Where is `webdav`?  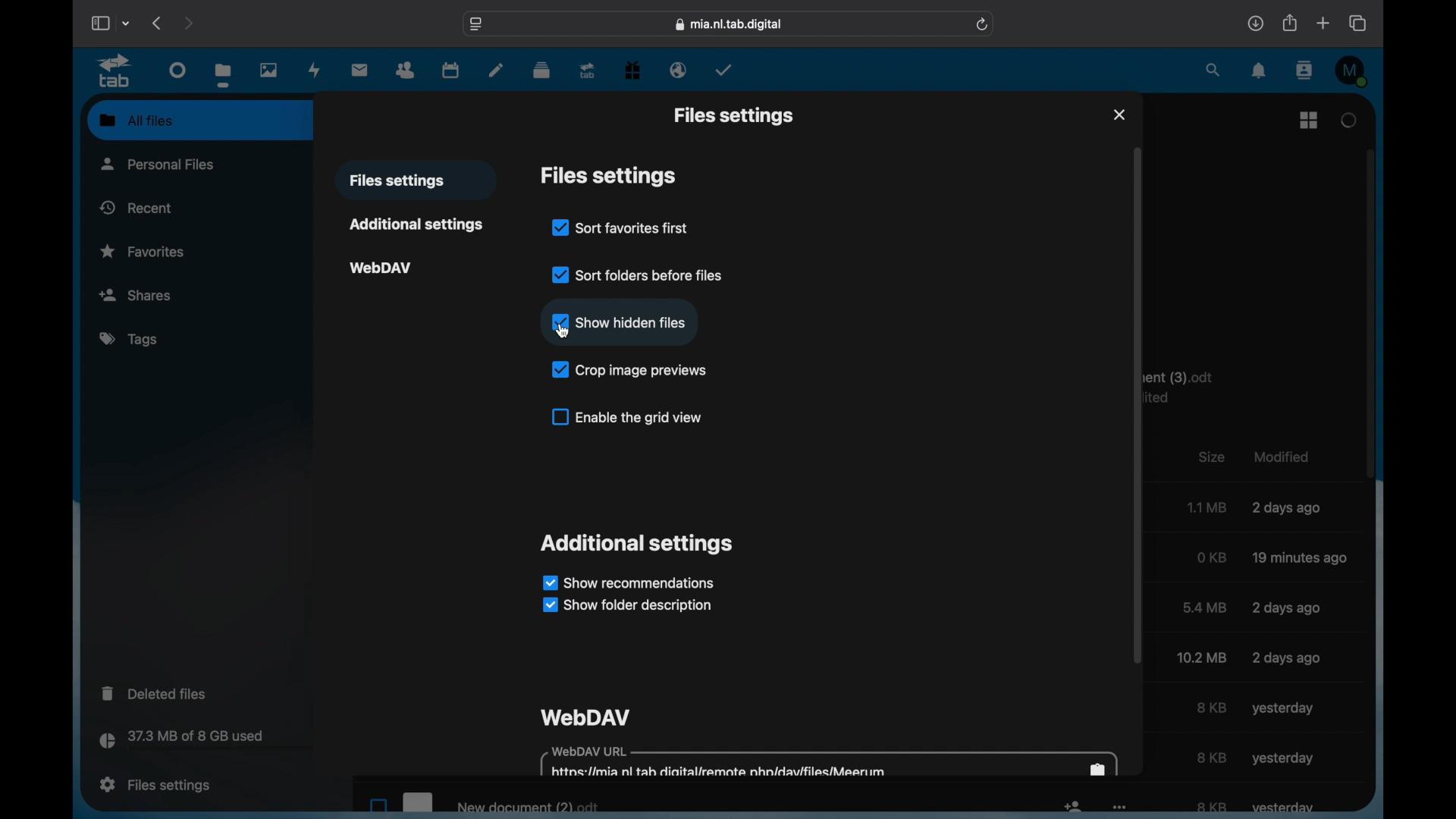
webdav is located at coordinates (381, 268).